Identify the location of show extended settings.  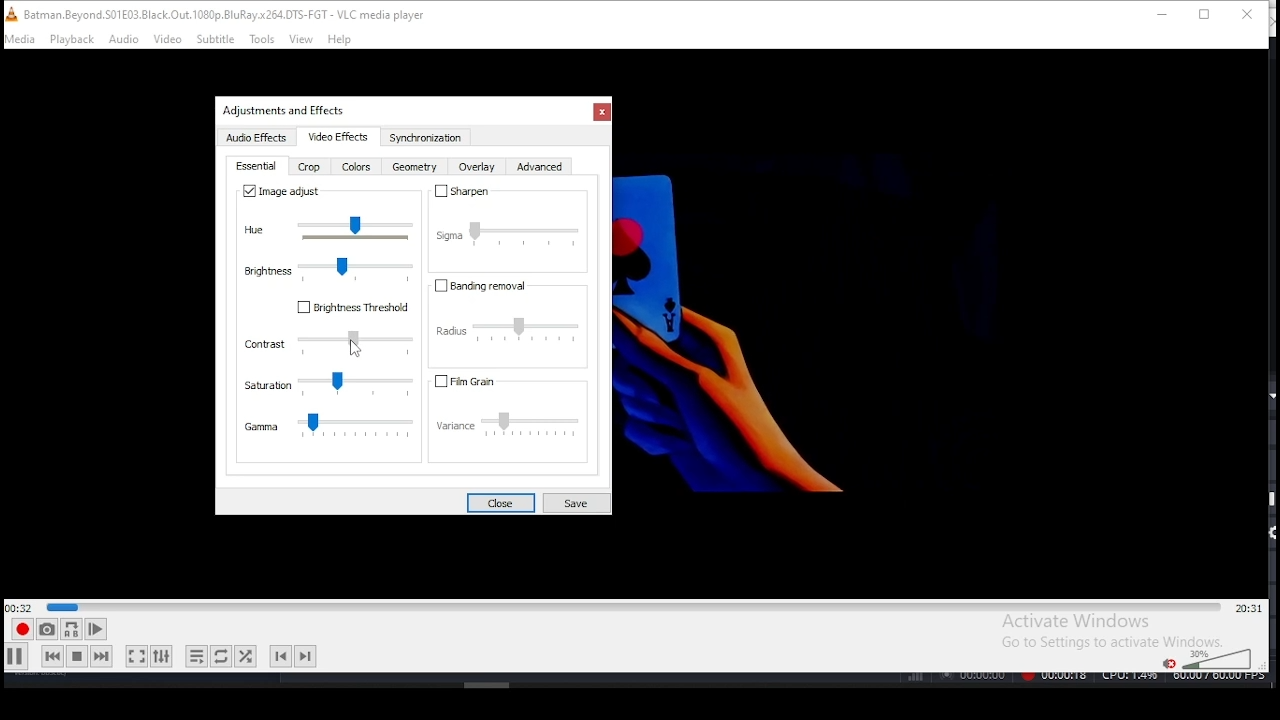
(163, 657).